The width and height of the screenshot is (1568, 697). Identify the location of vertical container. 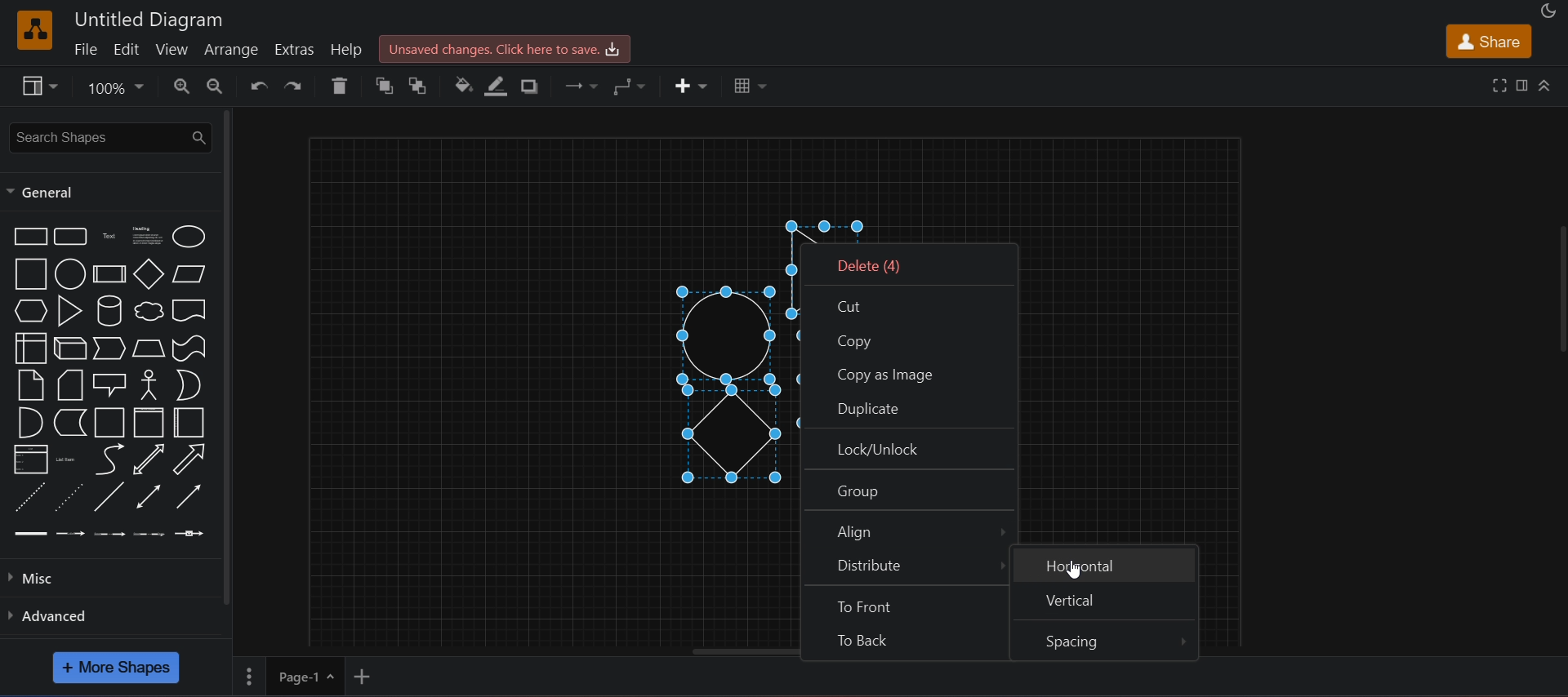
(146, 424).